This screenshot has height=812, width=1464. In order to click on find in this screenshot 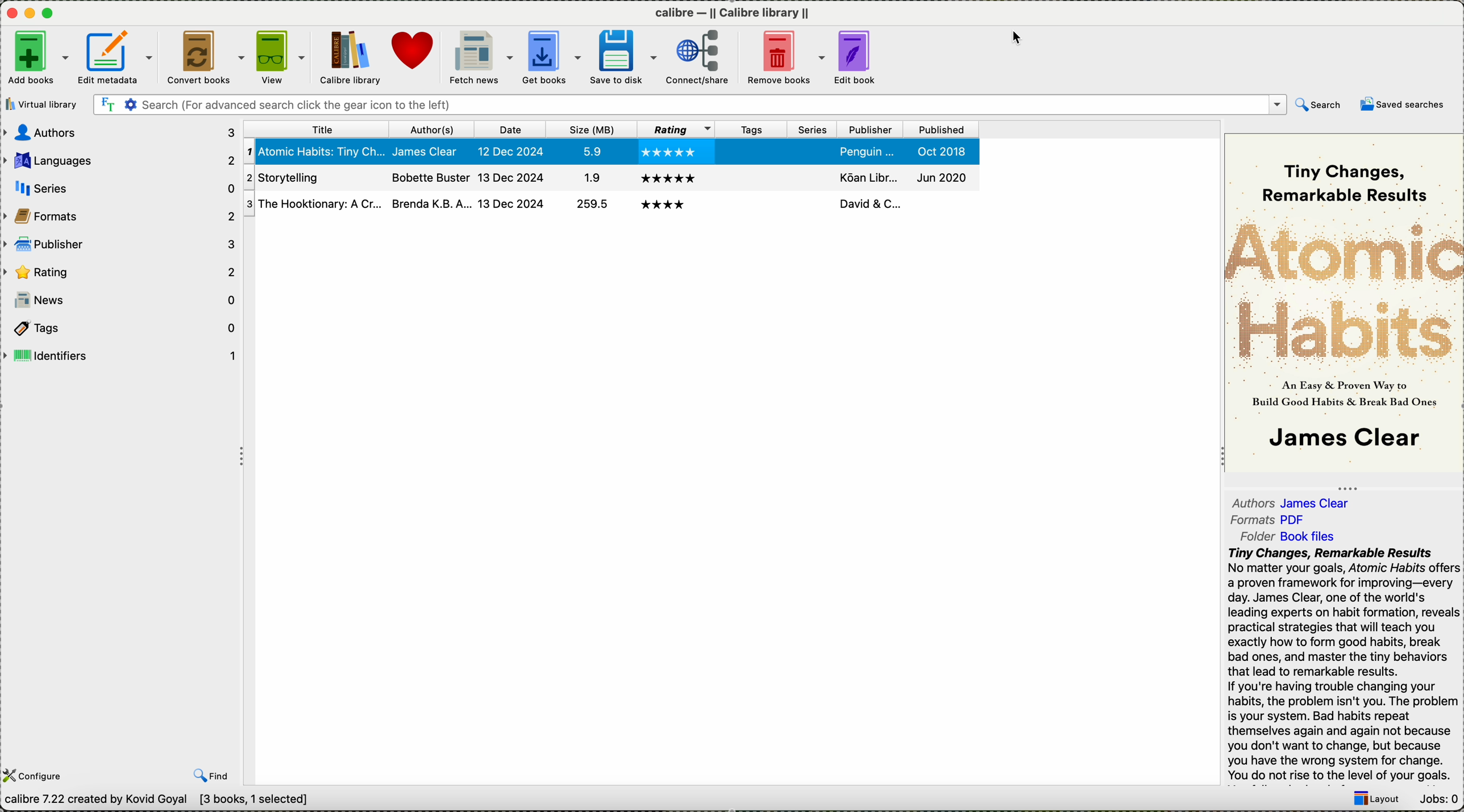, I will do `click(210, 776)`.